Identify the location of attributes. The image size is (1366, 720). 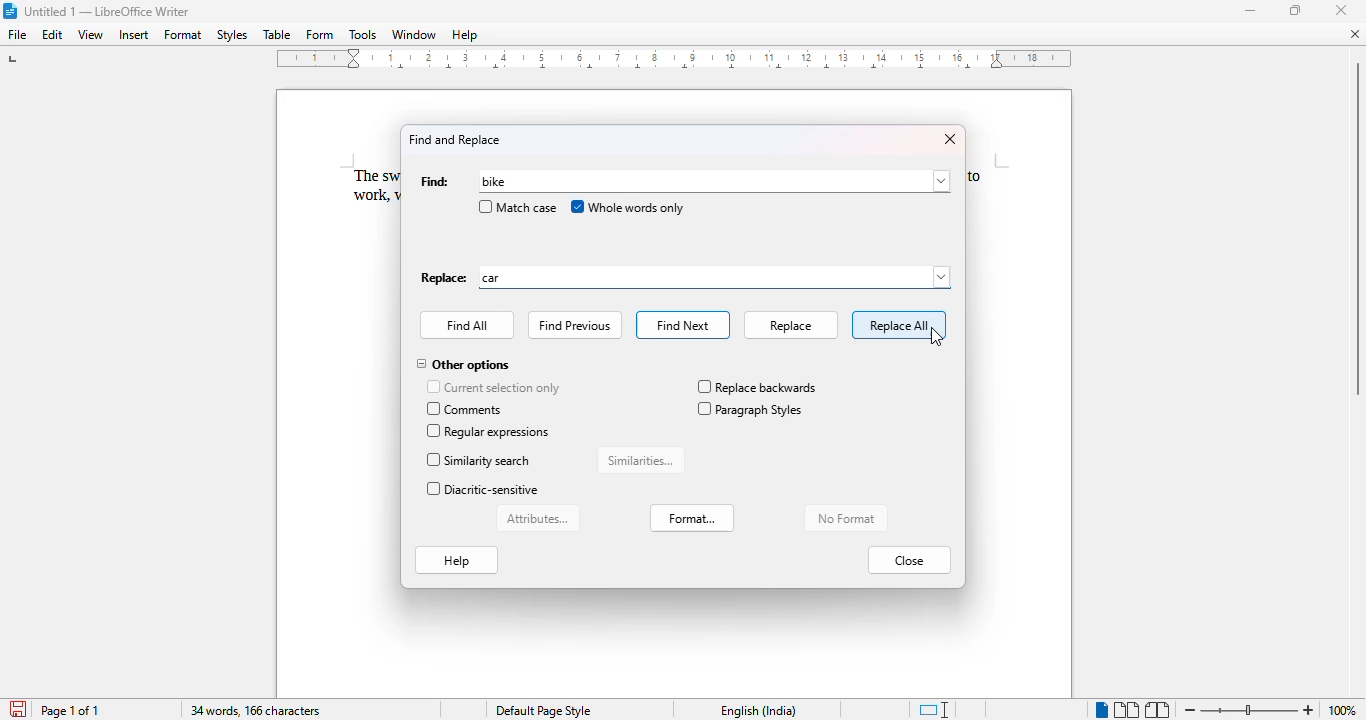
(540, 518).